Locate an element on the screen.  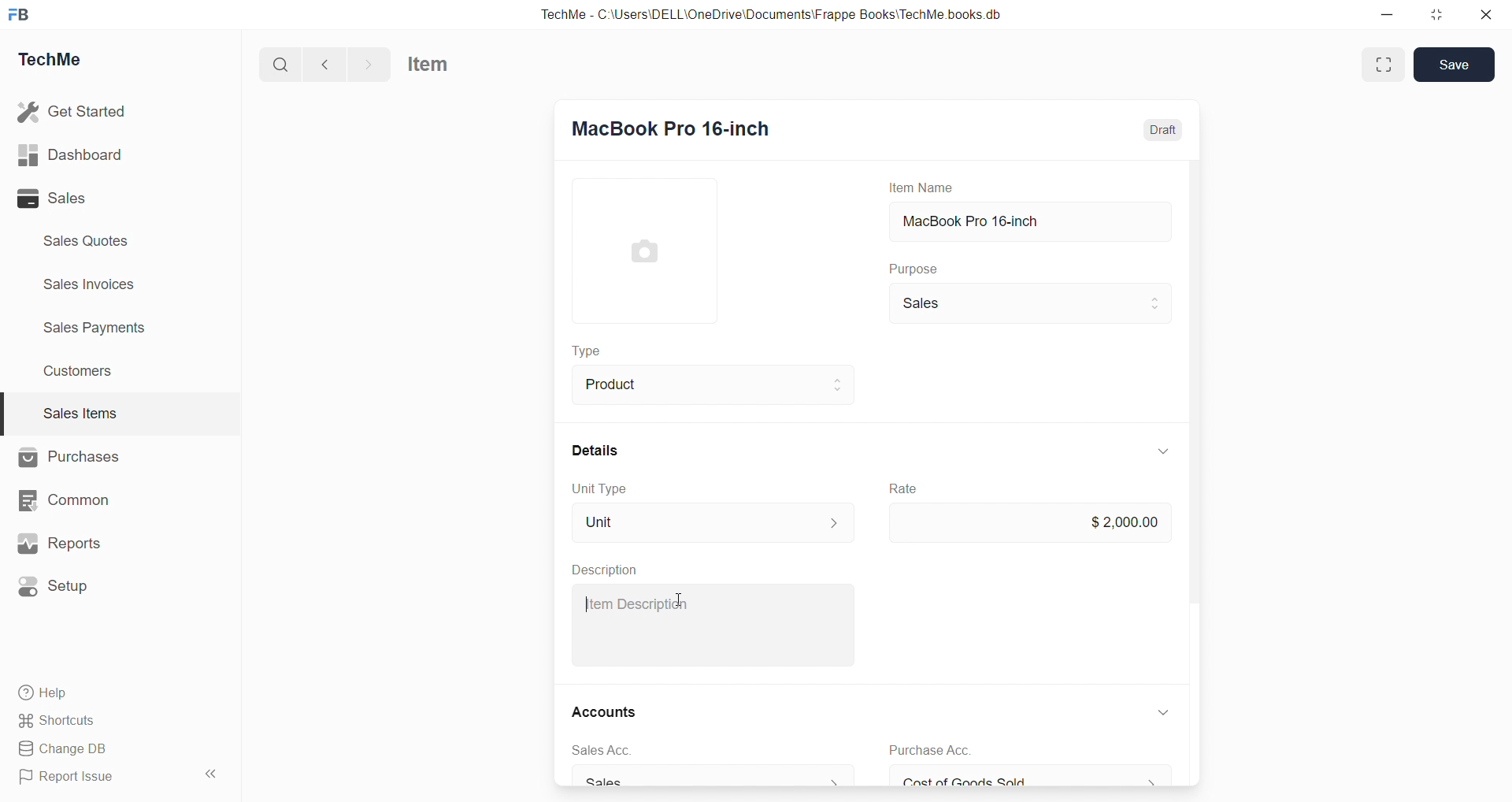
Common is located at coordinates (68, 500).